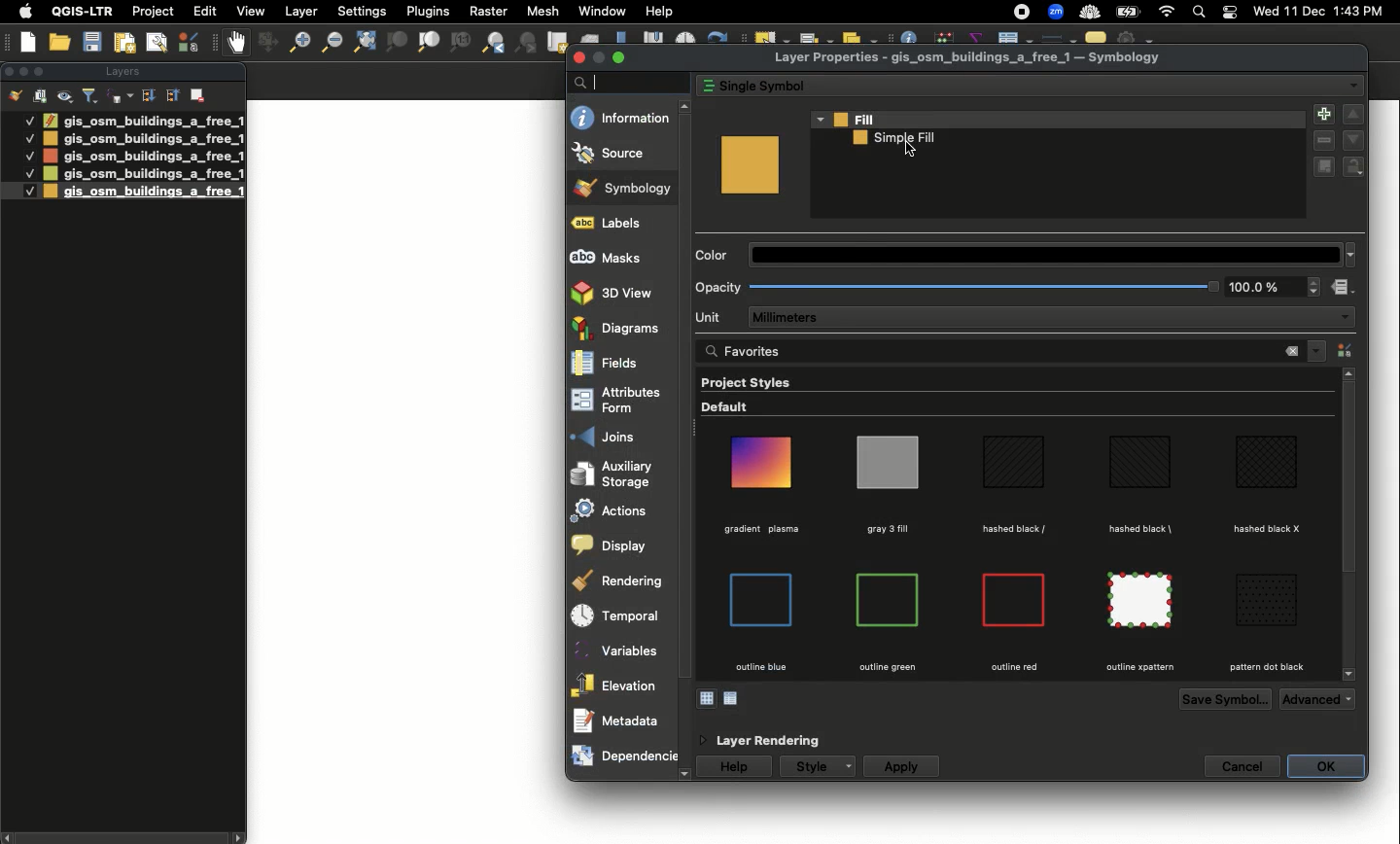  What do you see at coordinates (143, 156) in the screenshot?
I see `gis_osm_buildings_a_free_1` at bounding box center [143, 156].